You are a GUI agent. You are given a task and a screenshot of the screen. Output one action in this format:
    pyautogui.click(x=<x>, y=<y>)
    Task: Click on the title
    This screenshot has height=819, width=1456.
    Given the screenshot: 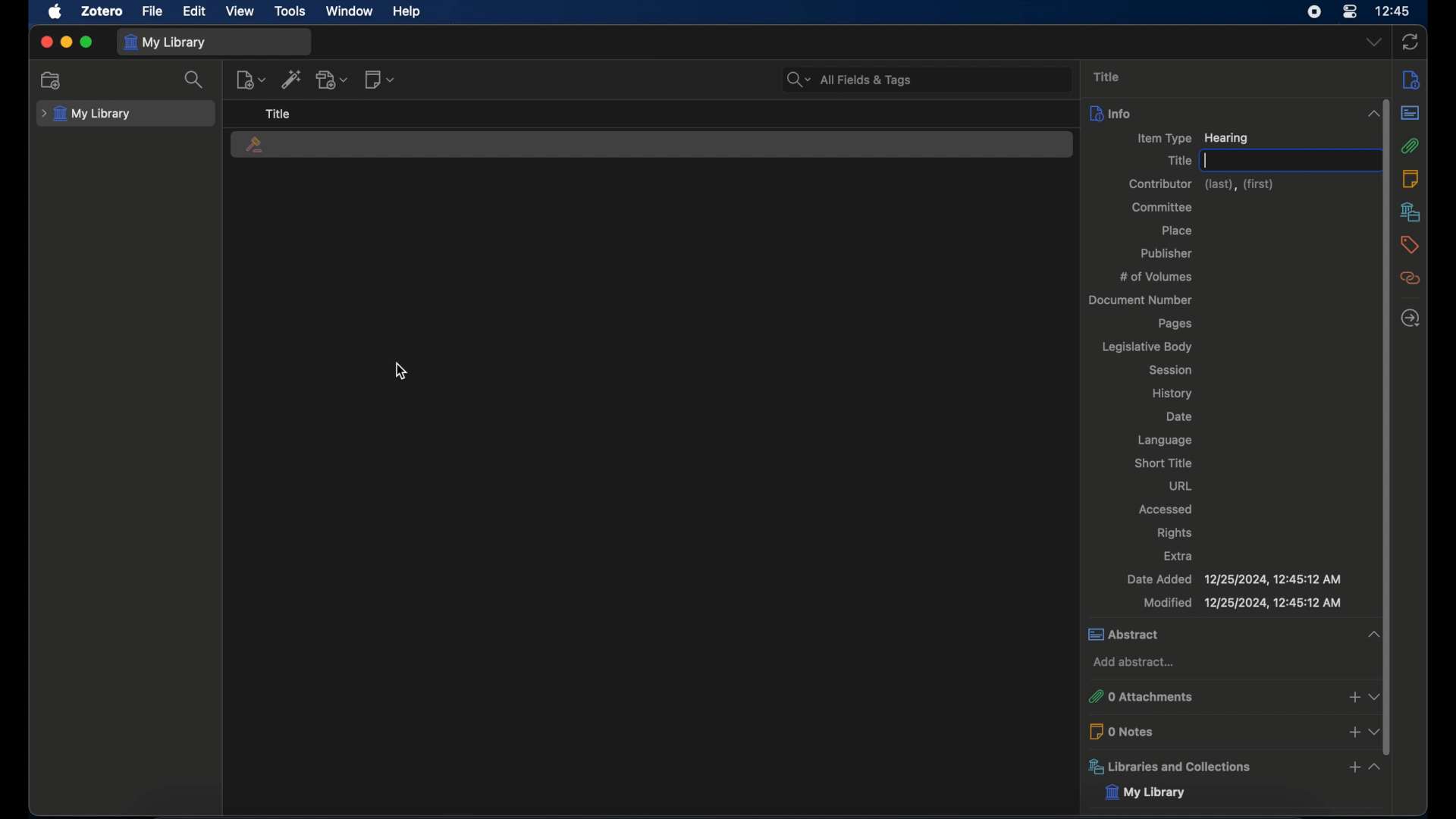 What is the action you would take?
    pyautogui.click(x=1107, y=76)
    